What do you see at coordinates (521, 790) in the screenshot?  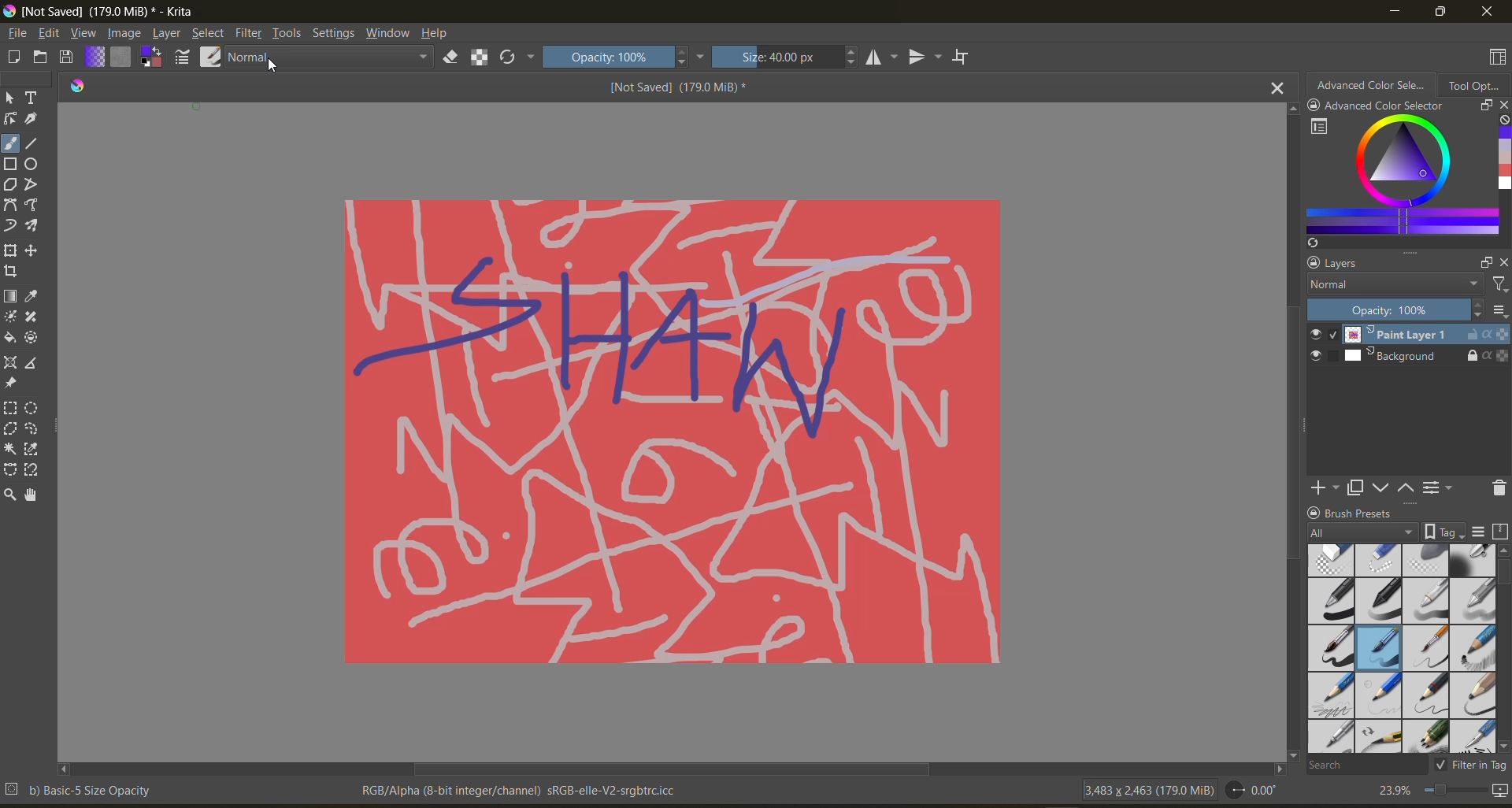 I see `RGB/Alpha (8-bit integer/channel) sRGB-elle-V2-srgbtrc.icc` at bounding box center [521, 790].